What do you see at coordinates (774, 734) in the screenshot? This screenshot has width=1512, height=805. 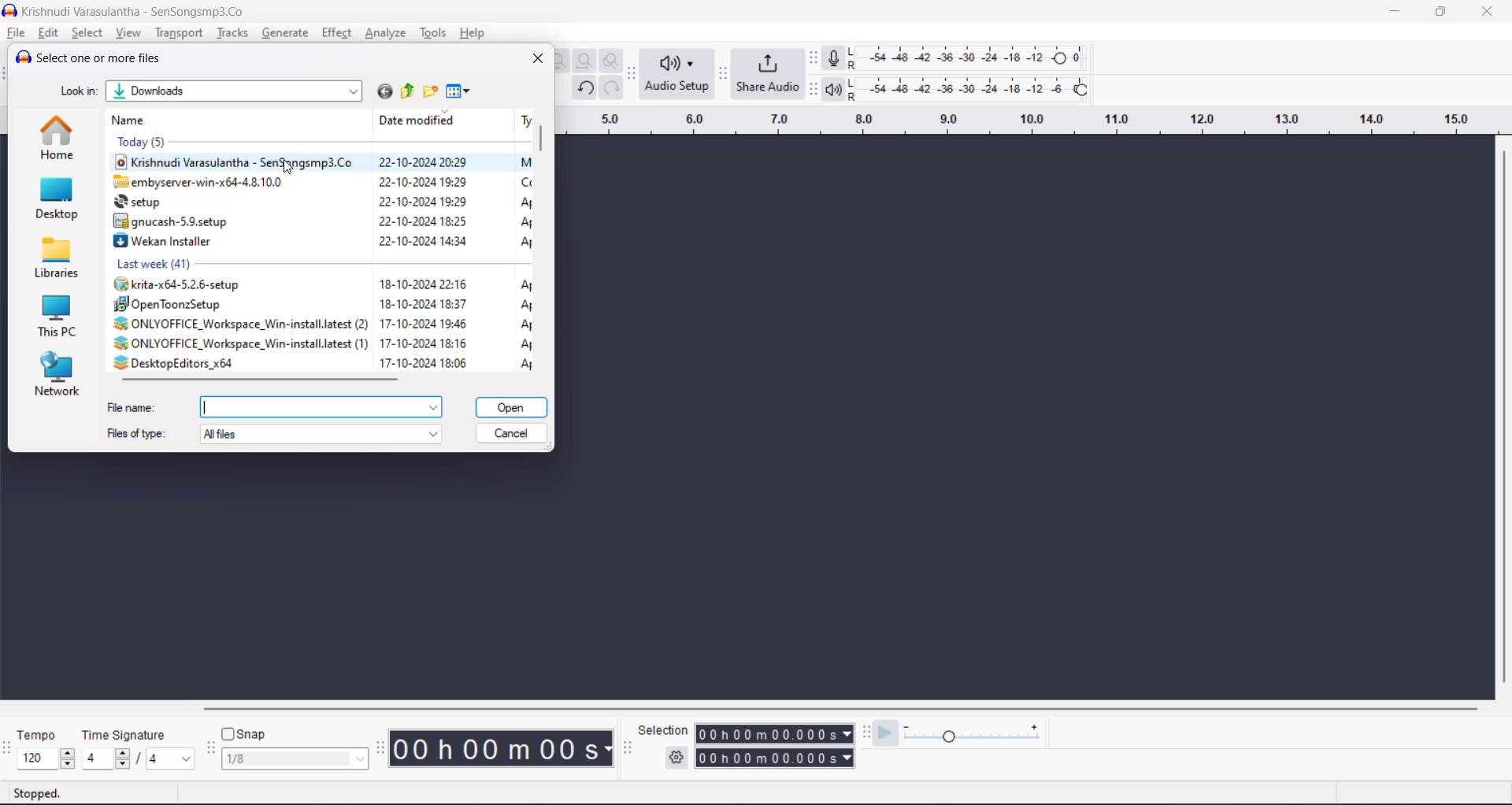 I see `00 h 00m 00.000s` at bounding box center [774, 734].